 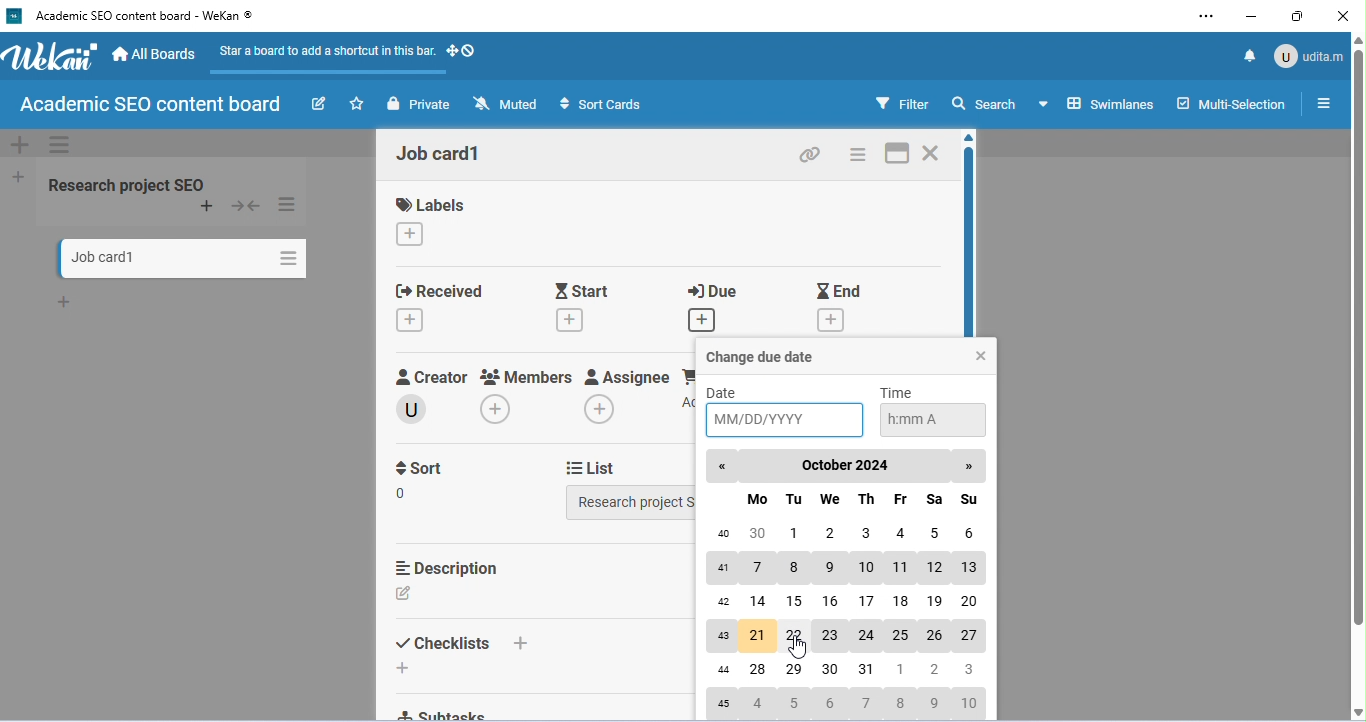 What do you see at coordinates (147, 106) in the screenshot?
I see `board name: Academic SEO content board` at bounding box center [147, 106].